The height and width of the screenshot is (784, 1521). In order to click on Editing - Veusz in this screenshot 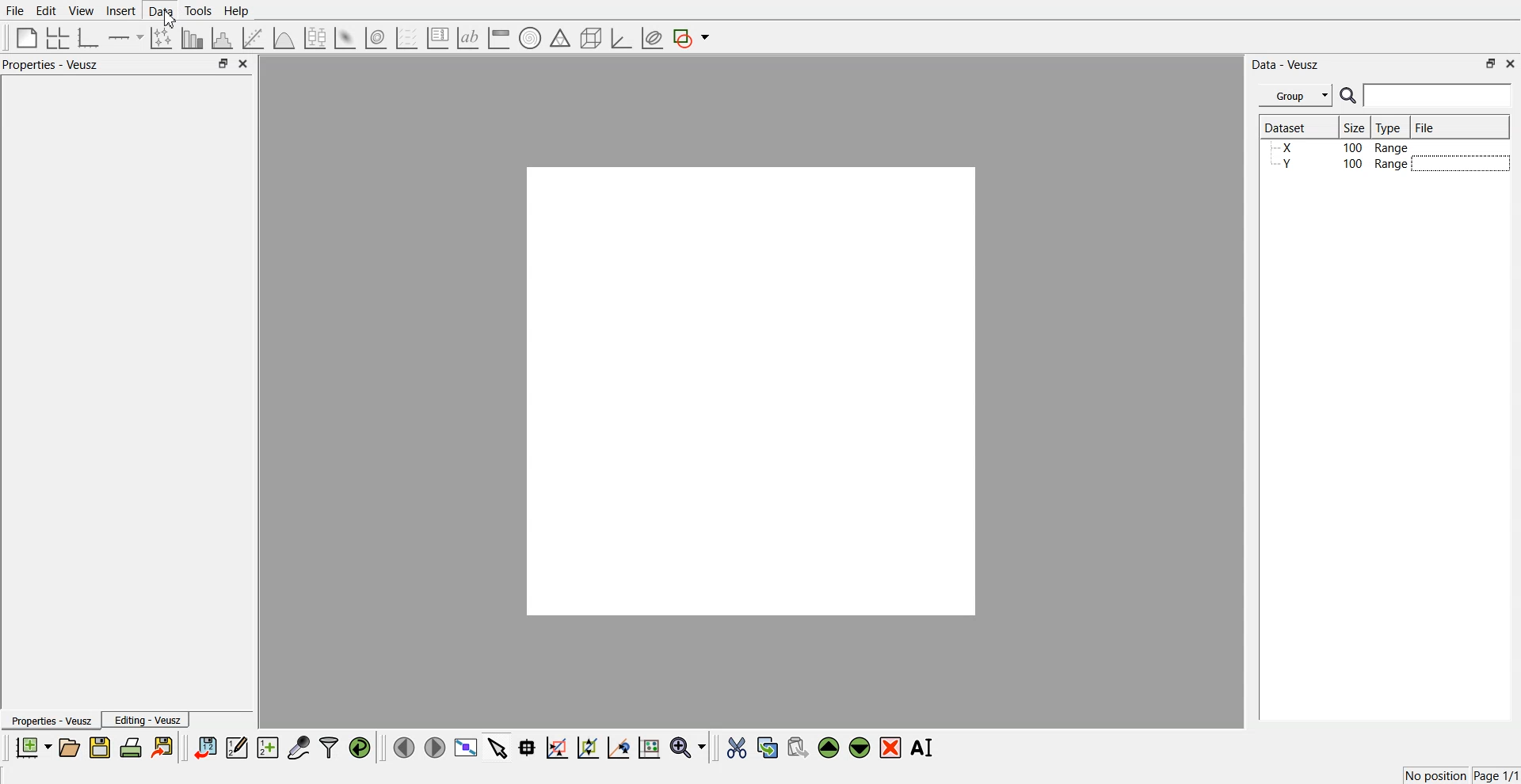, I will do `click(146, 719)`.